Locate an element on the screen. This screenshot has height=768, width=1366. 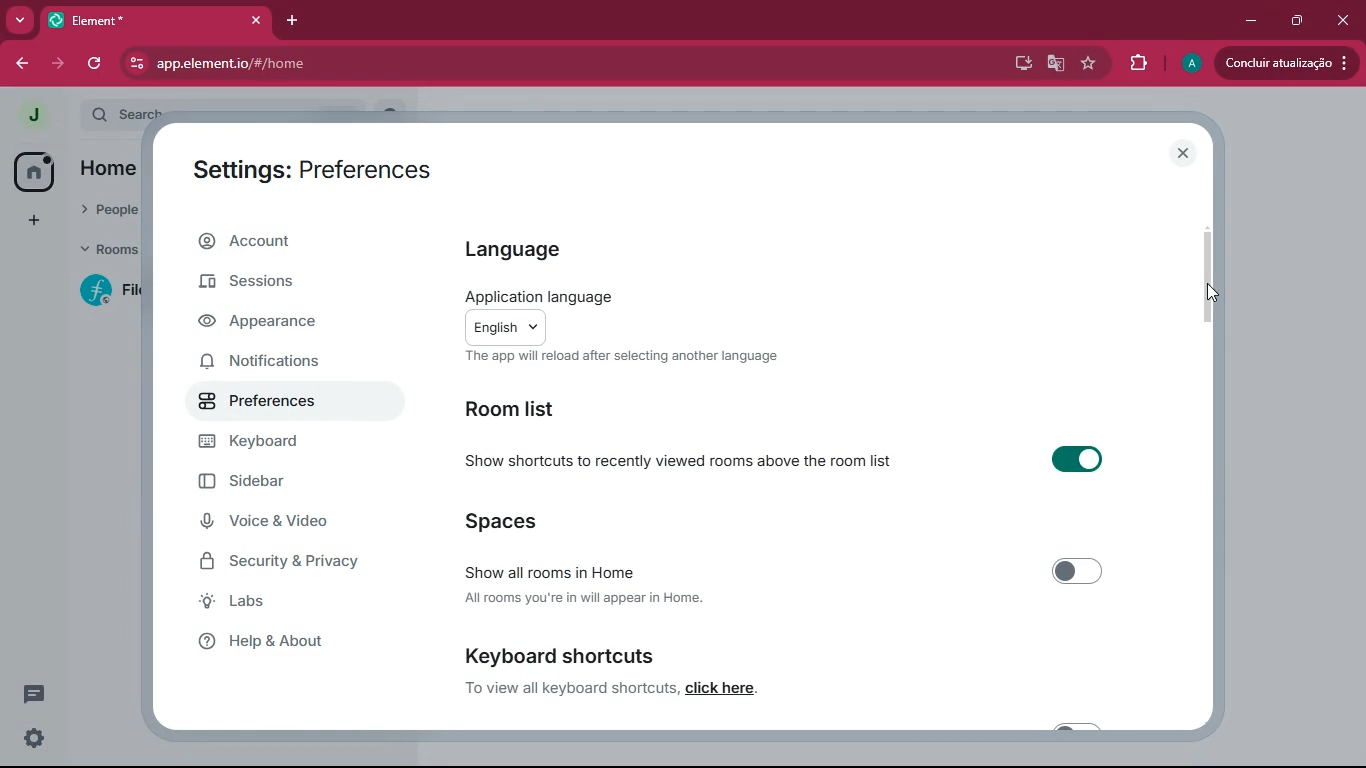
app reload after selecting another language is located at coordinates (622, 356).